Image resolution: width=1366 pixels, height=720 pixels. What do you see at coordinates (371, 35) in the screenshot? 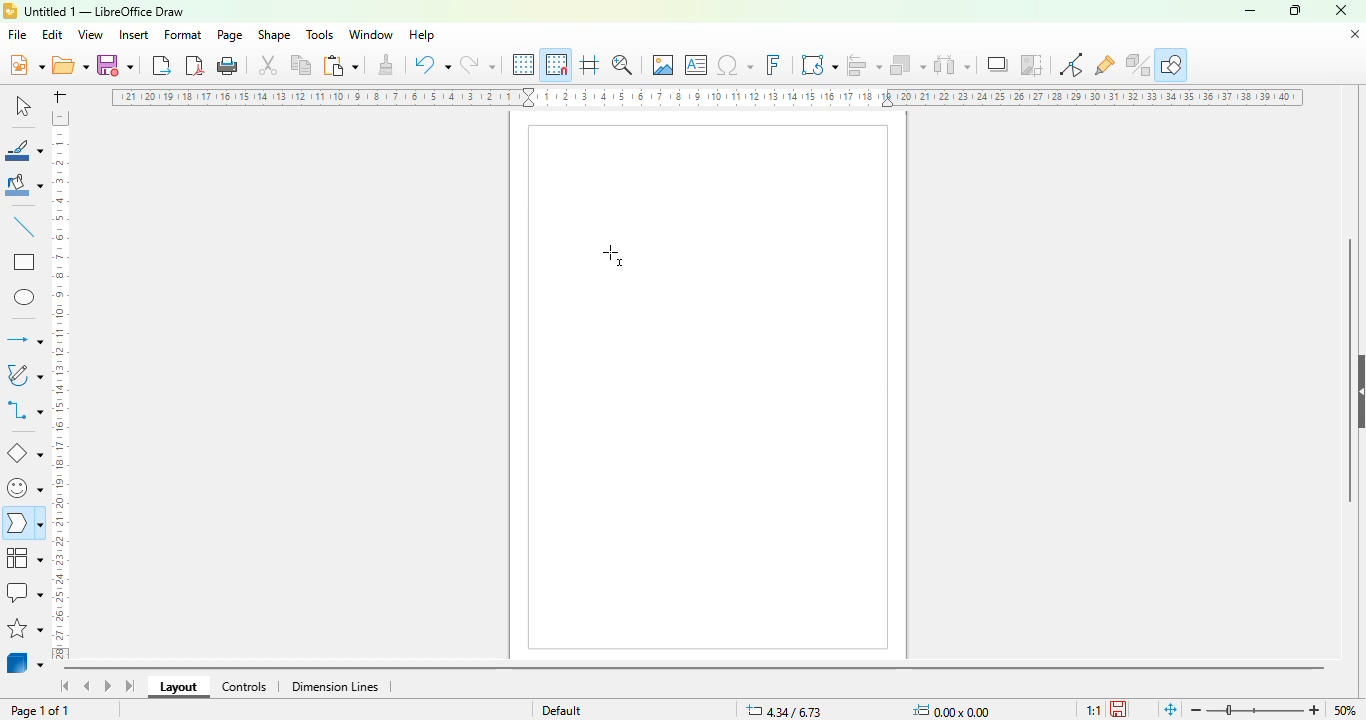
I see `window` at bounding box center [371, 35].